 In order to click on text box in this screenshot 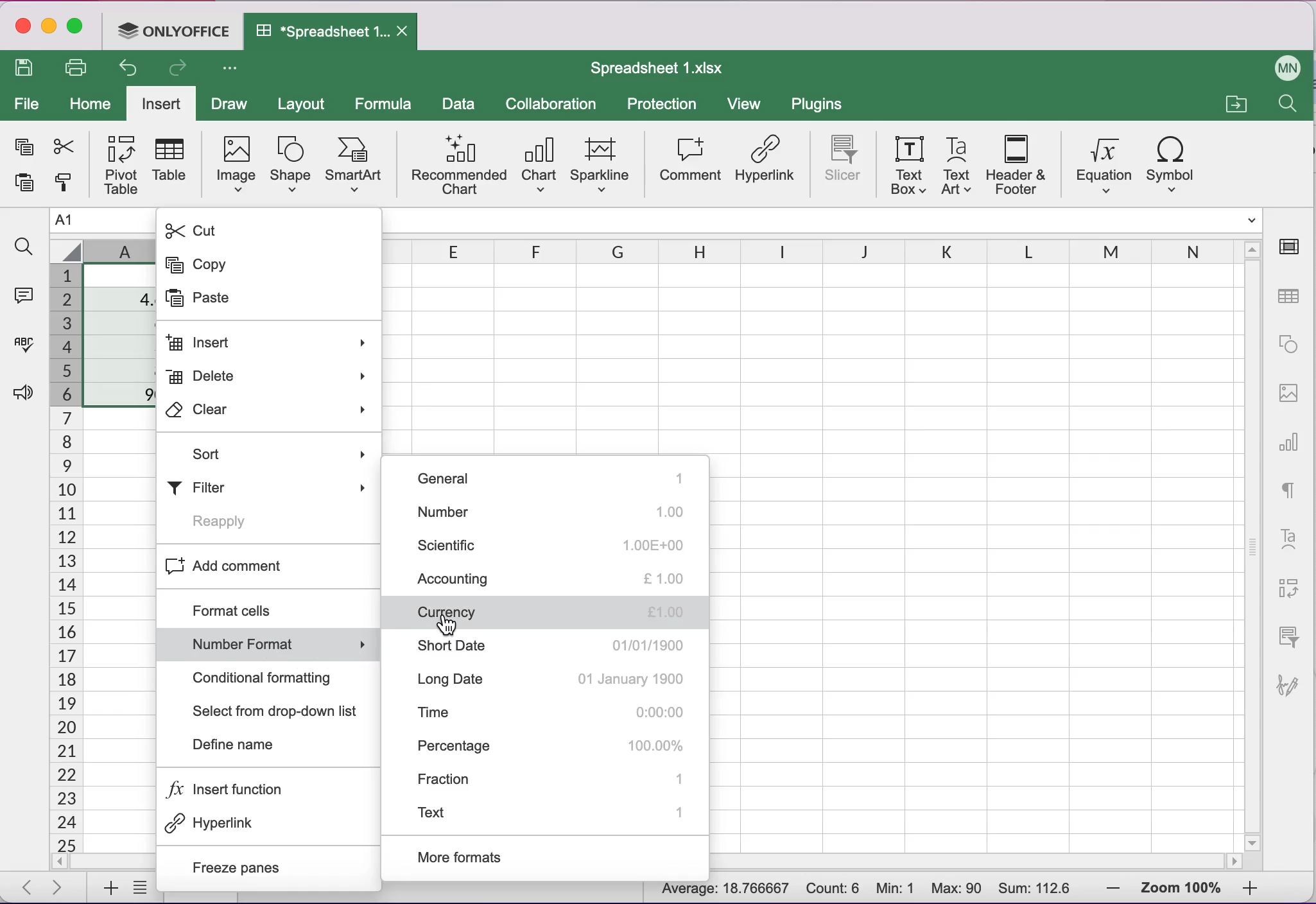, I will do `click(906, 164)`.